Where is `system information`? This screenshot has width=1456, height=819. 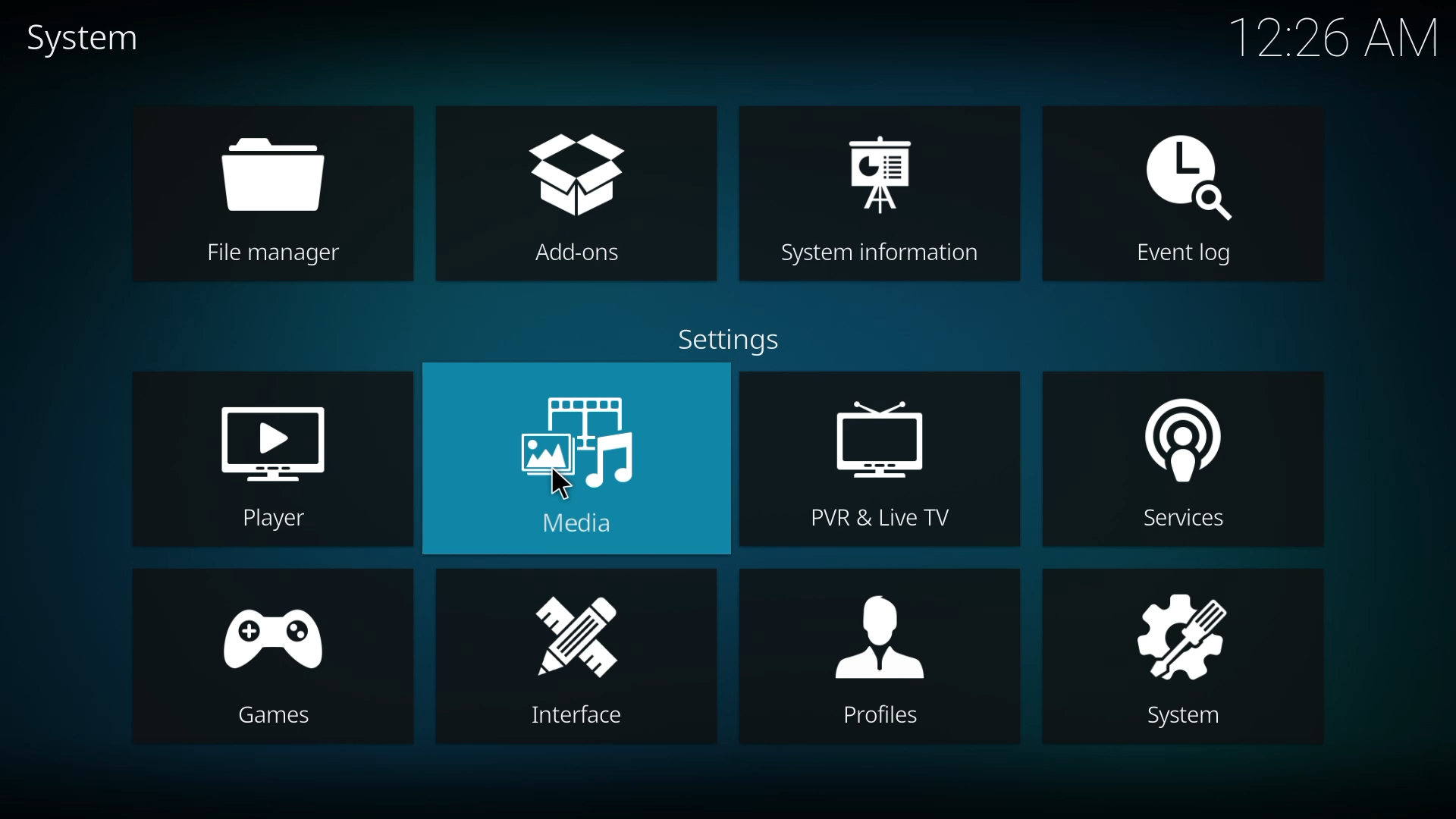
system information is located at coordinates (880, 193).